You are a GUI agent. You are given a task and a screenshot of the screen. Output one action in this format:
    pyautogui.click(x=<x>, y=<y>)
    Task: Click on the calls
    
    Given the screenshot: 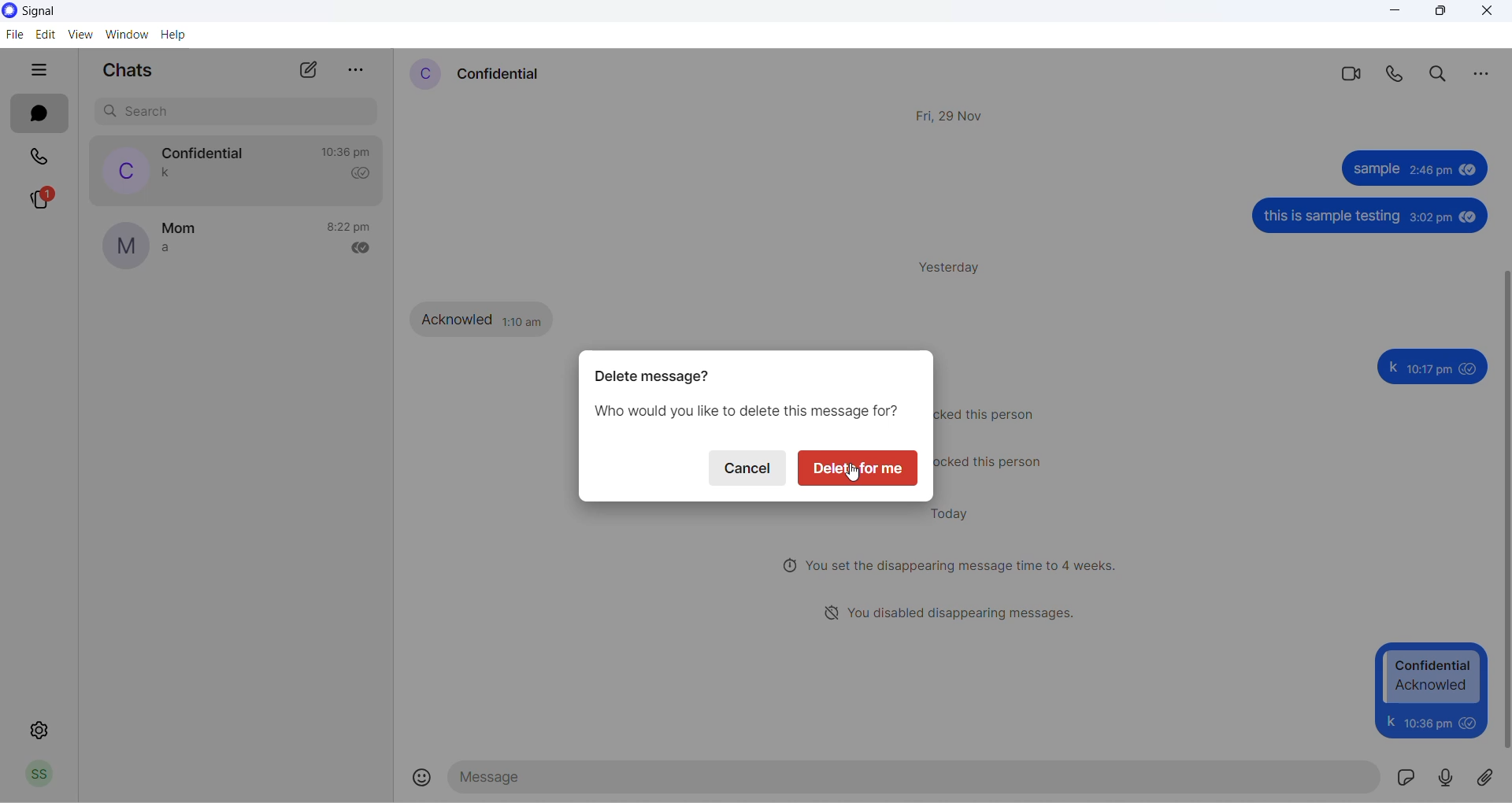 What is the action you would take?
    pyautogui.click(x=44, y=157)
    